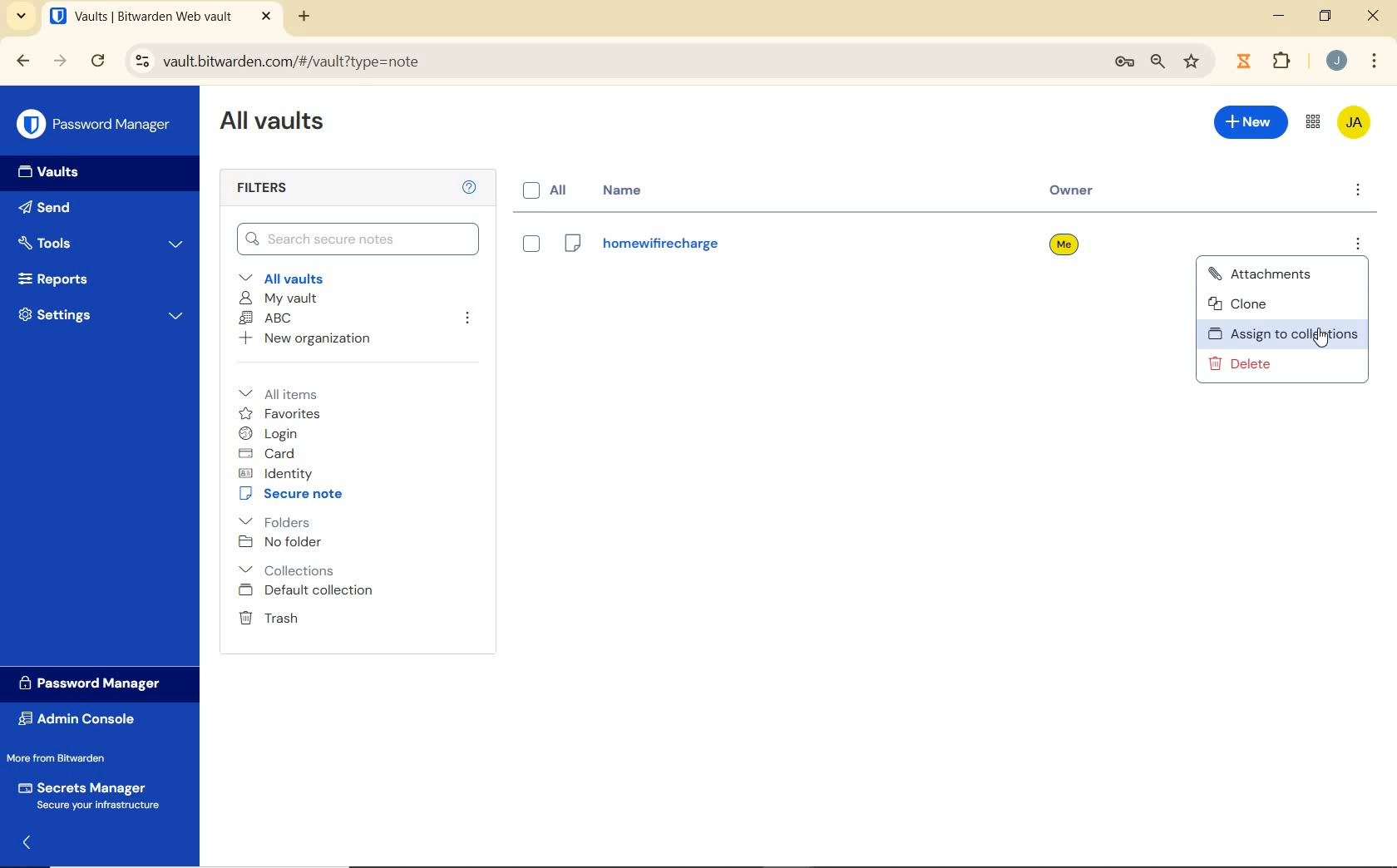 This screenshot has width=1397, height=868. What do you see at coordinates (640, 248) in the screenshot?
I see `Login Name` at bounding box center [640, 248].